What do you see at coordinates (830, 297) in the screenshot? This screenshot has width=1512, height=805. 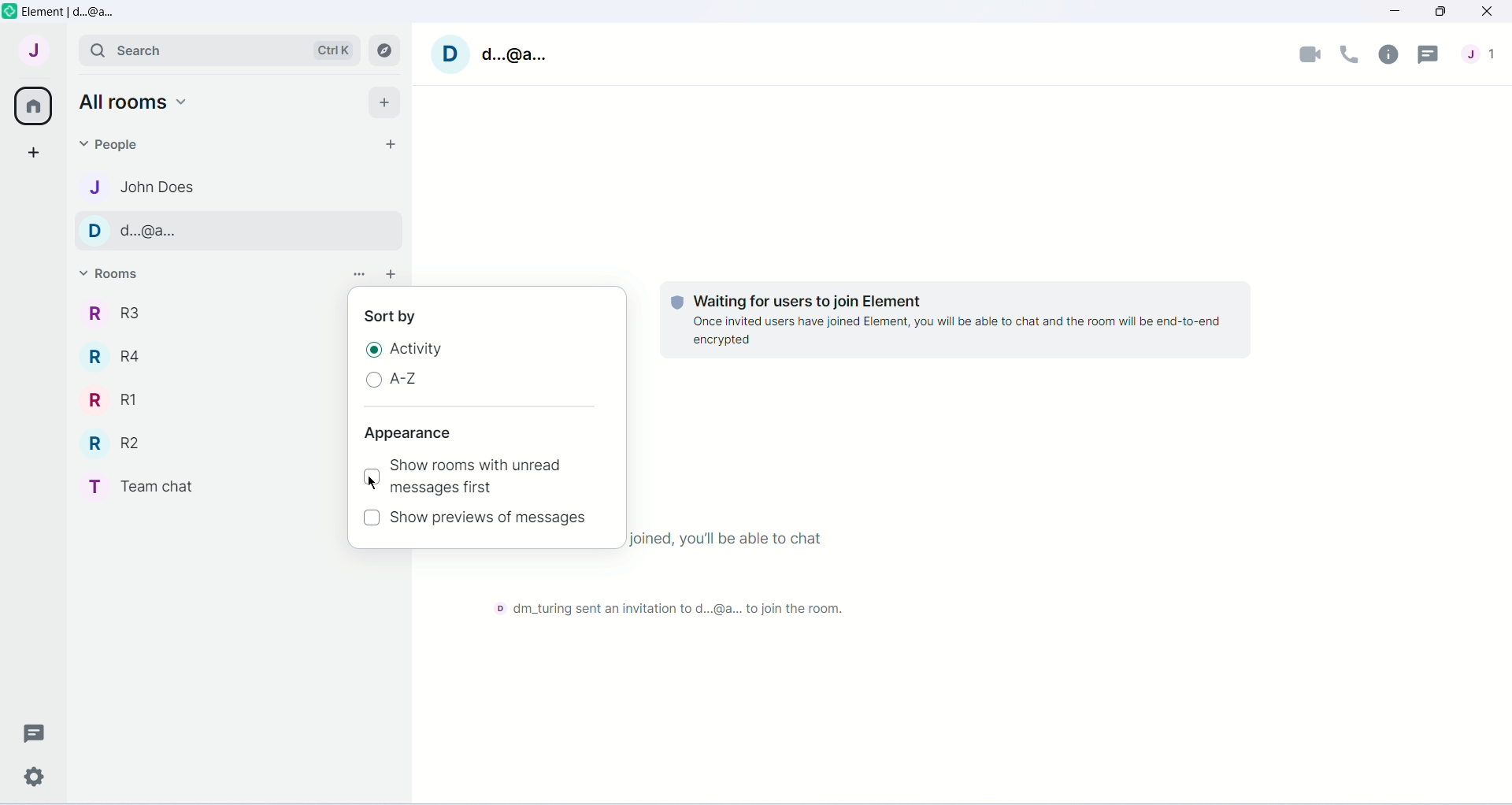 I see `waiting for users to join element` at bounding box center [830, 297].